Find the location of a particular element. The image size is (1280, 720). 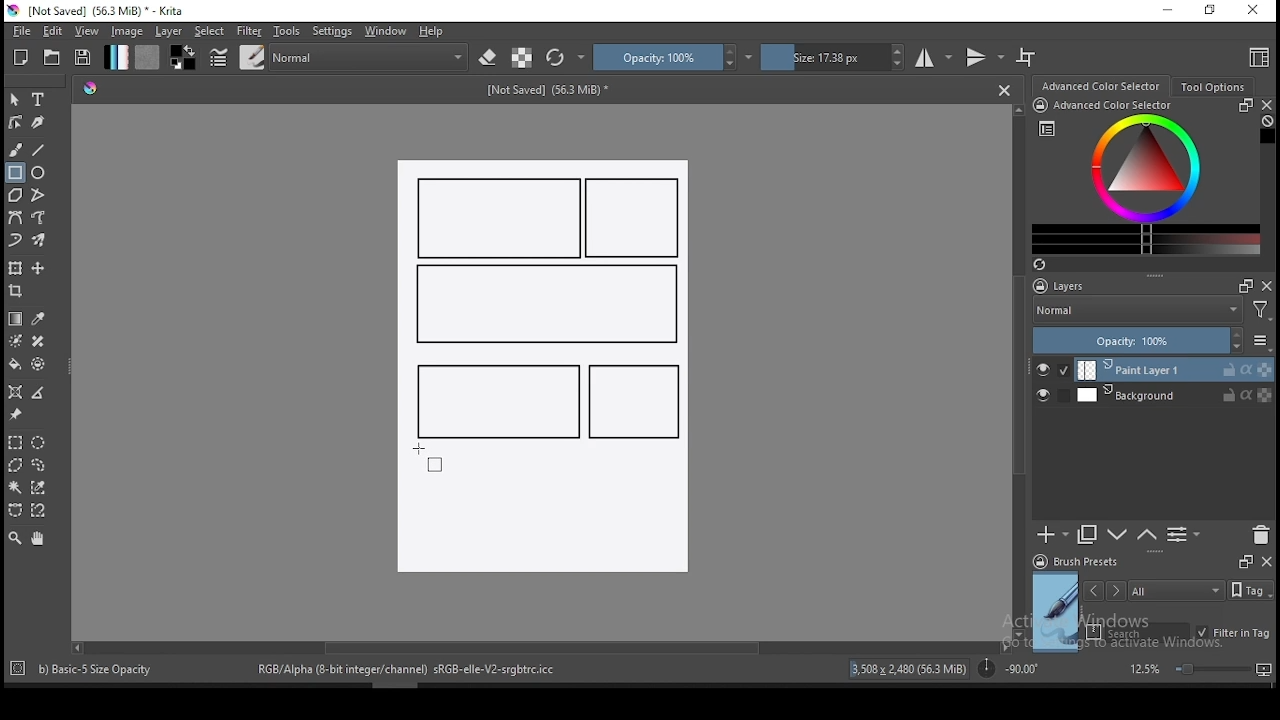

preview is located at coordinates (1056, 612).